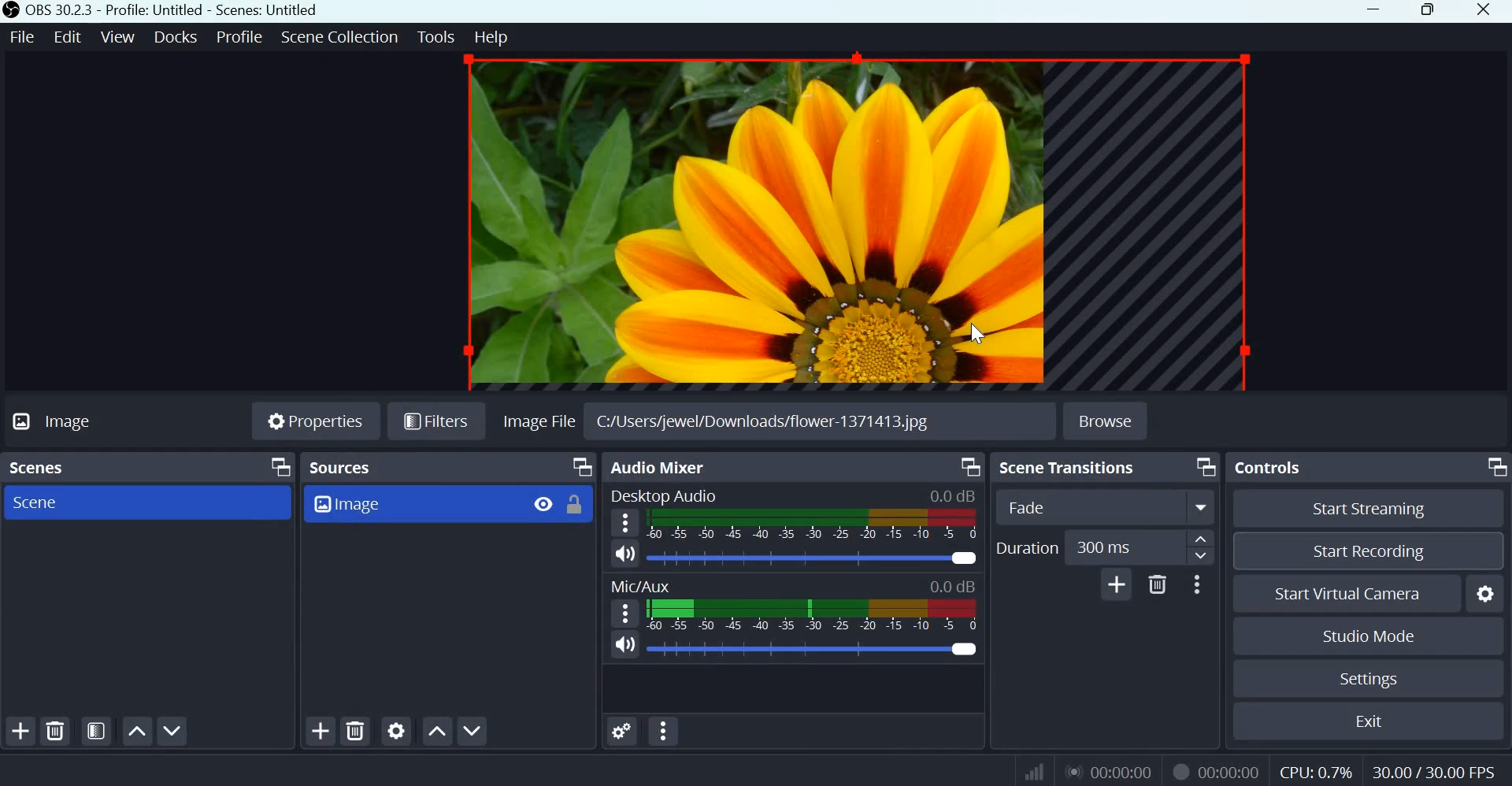 The width and height of the screenshot is (1512, 786). What do you see at coordinates (815, 558) in the screenshot?
I see `Audio Slider` at bounding box center [815, 558].